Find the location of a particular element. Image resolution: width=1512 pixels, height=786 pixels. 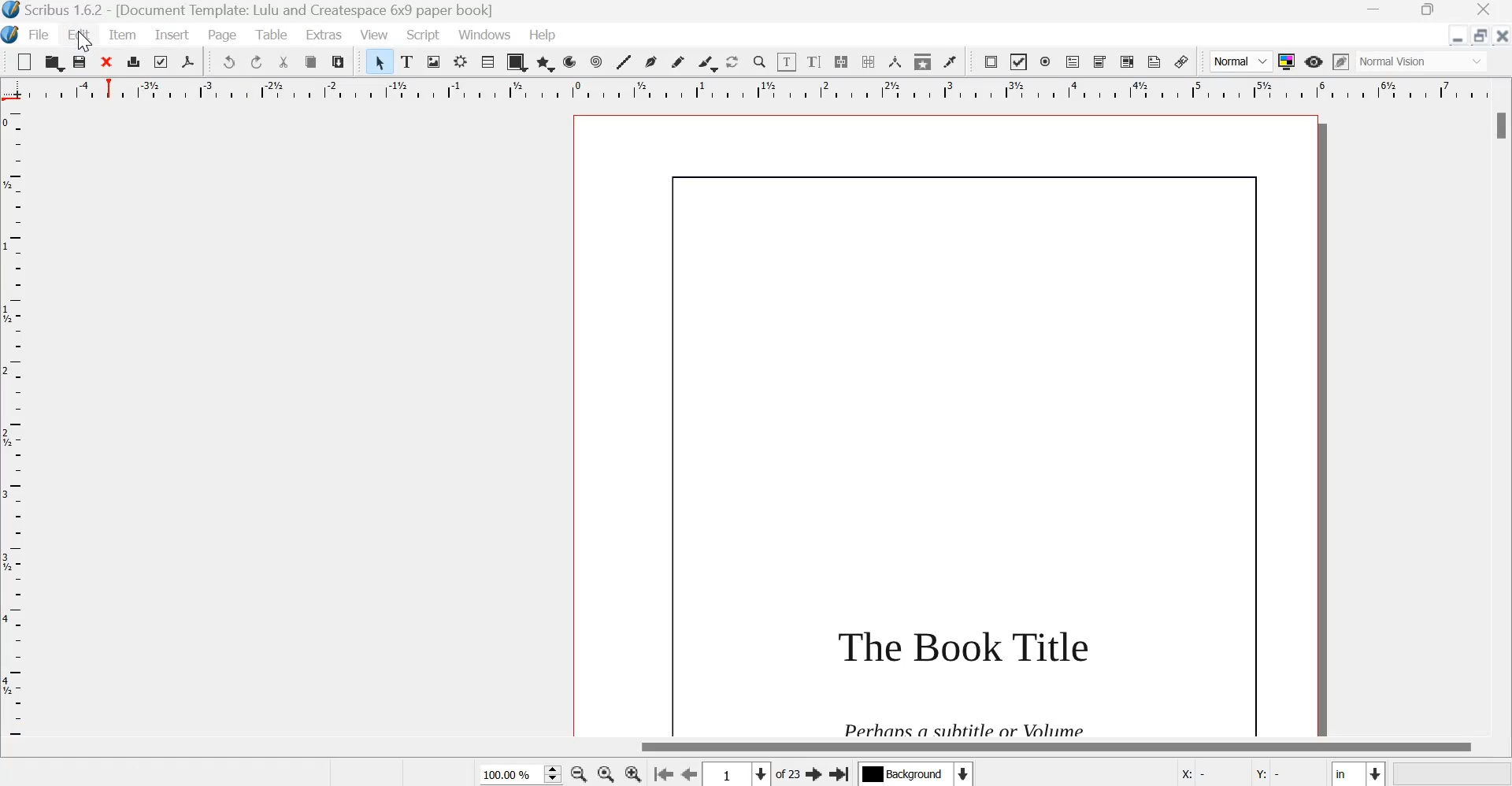

resize is located at coordinates (1481, 36).